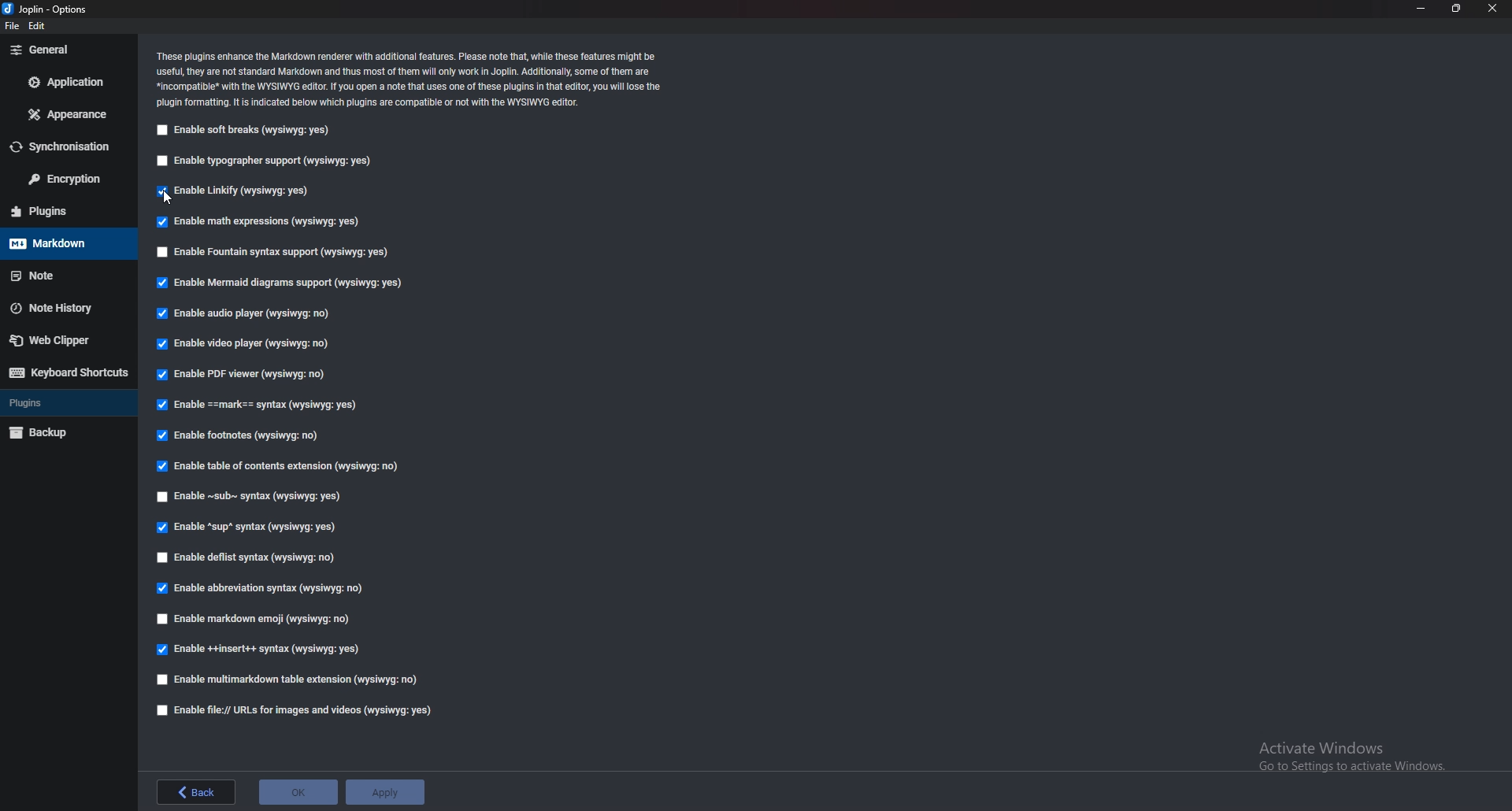 This screenshot has height=811, width=1512. What do you see at coordinates (1421, 7) in the screenshot?
I see `Minimize` at bounding box center [1421, 7].